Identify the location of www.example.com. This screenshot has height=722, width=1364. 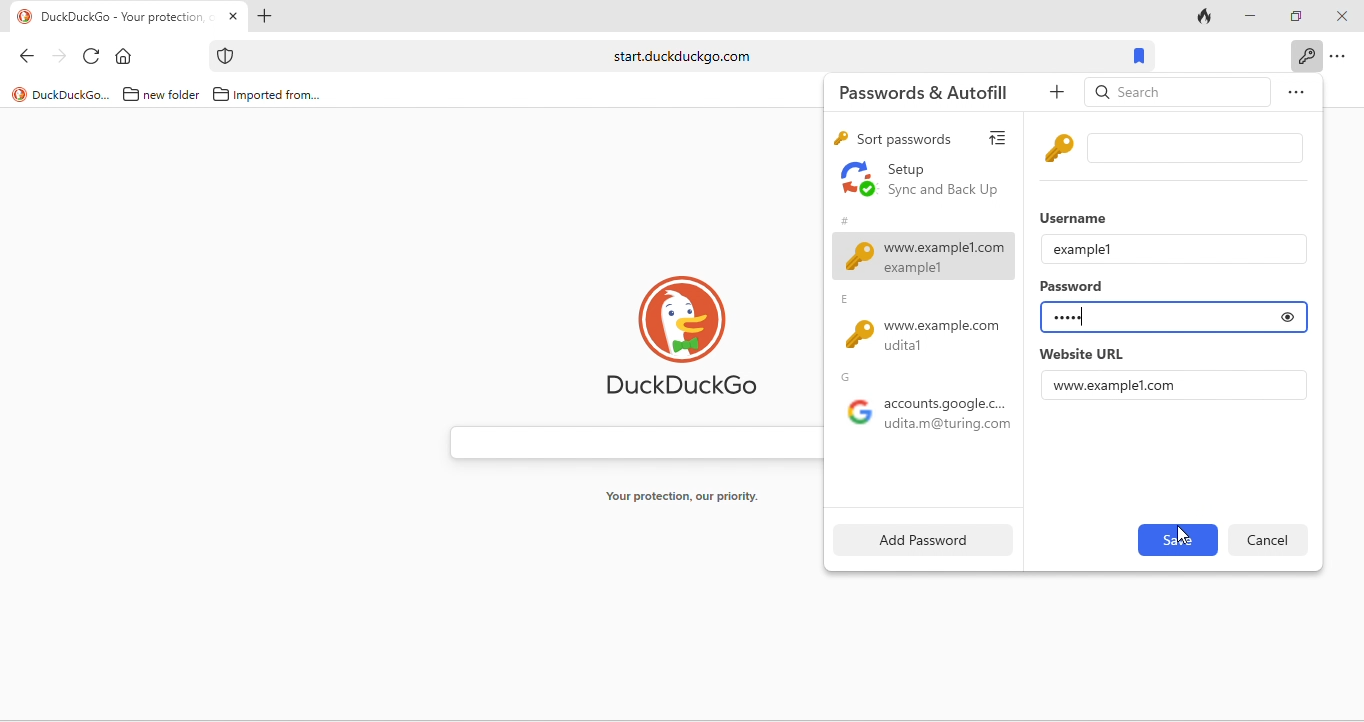
(930, 337).